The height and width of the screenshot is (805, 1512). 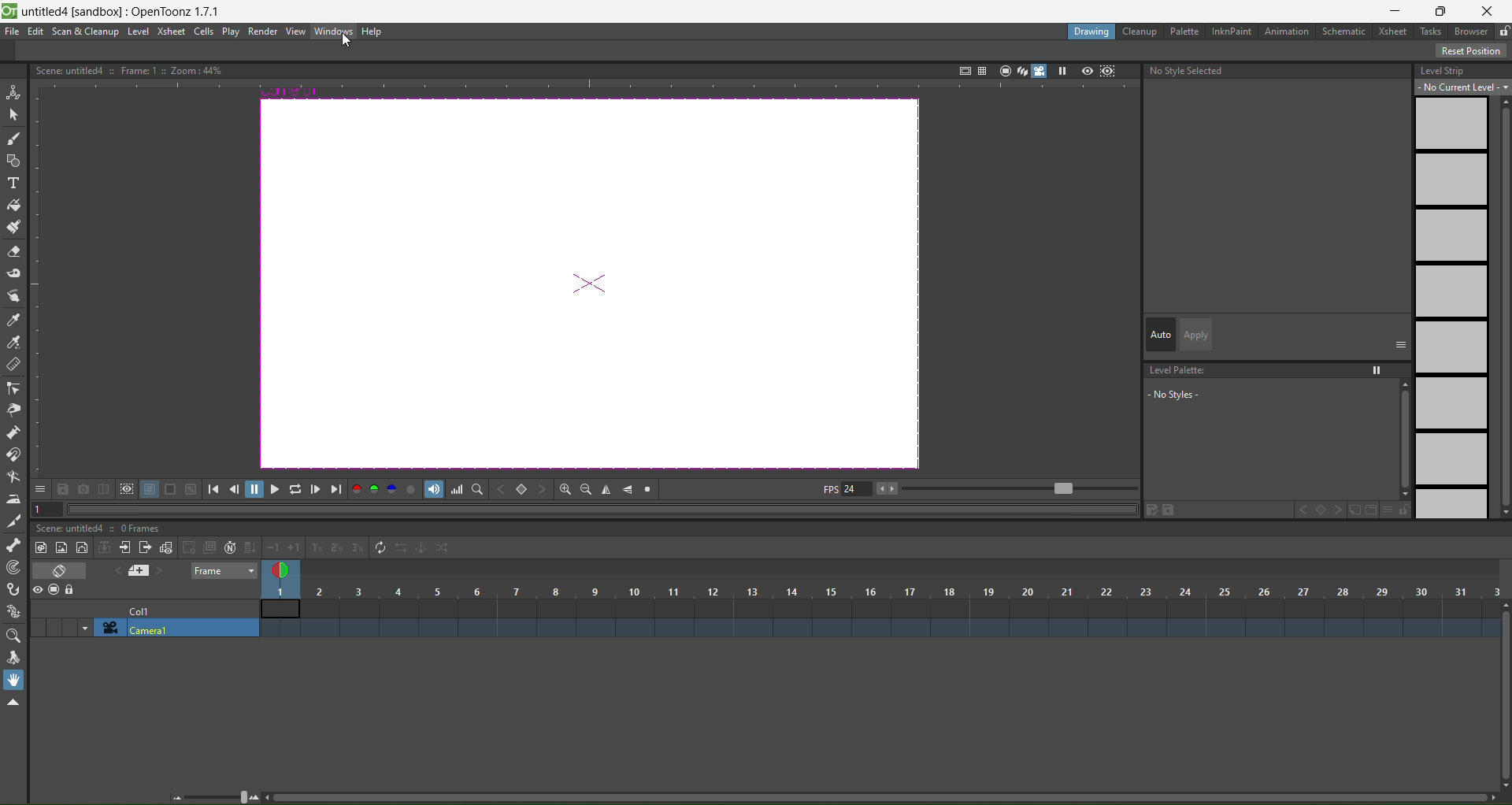 What do you see at coordinates (276, 492) in the screenshot?
I see `playback options` at bounding box center [276, 492].